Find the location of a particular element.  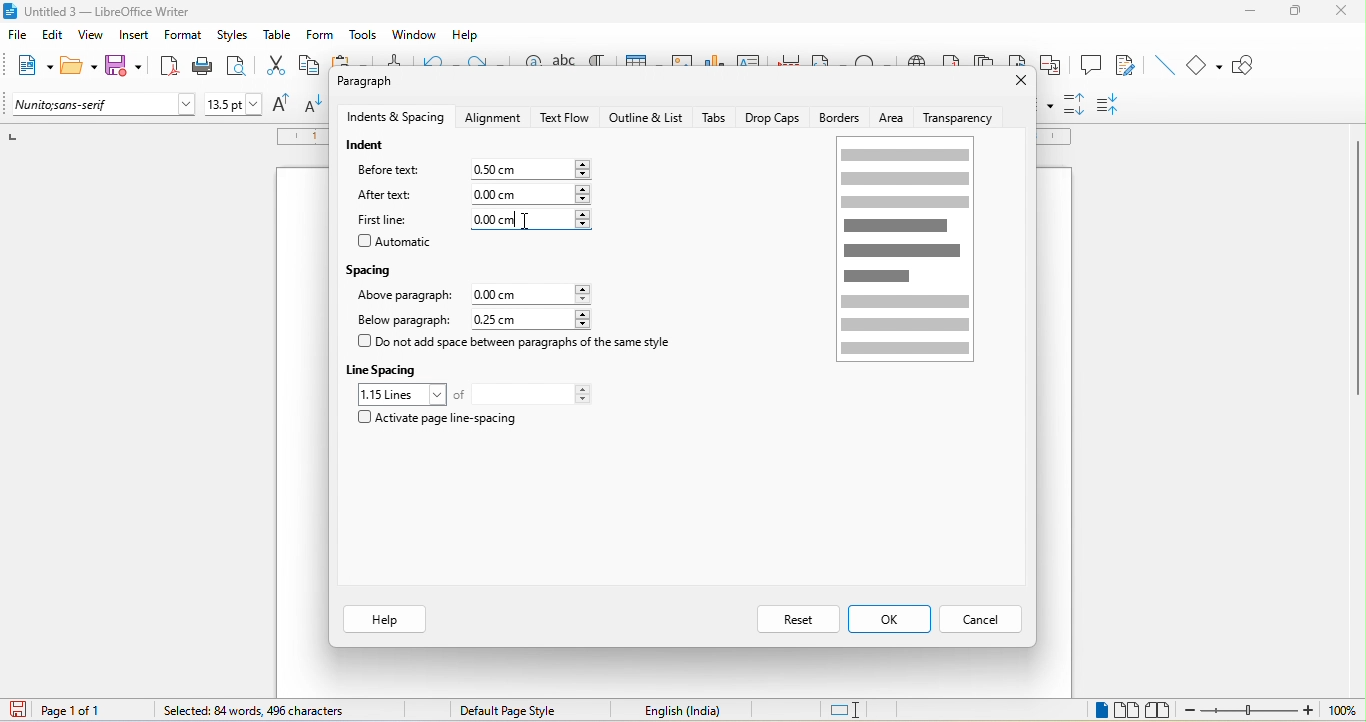

view is located at coordinates (91, 38).